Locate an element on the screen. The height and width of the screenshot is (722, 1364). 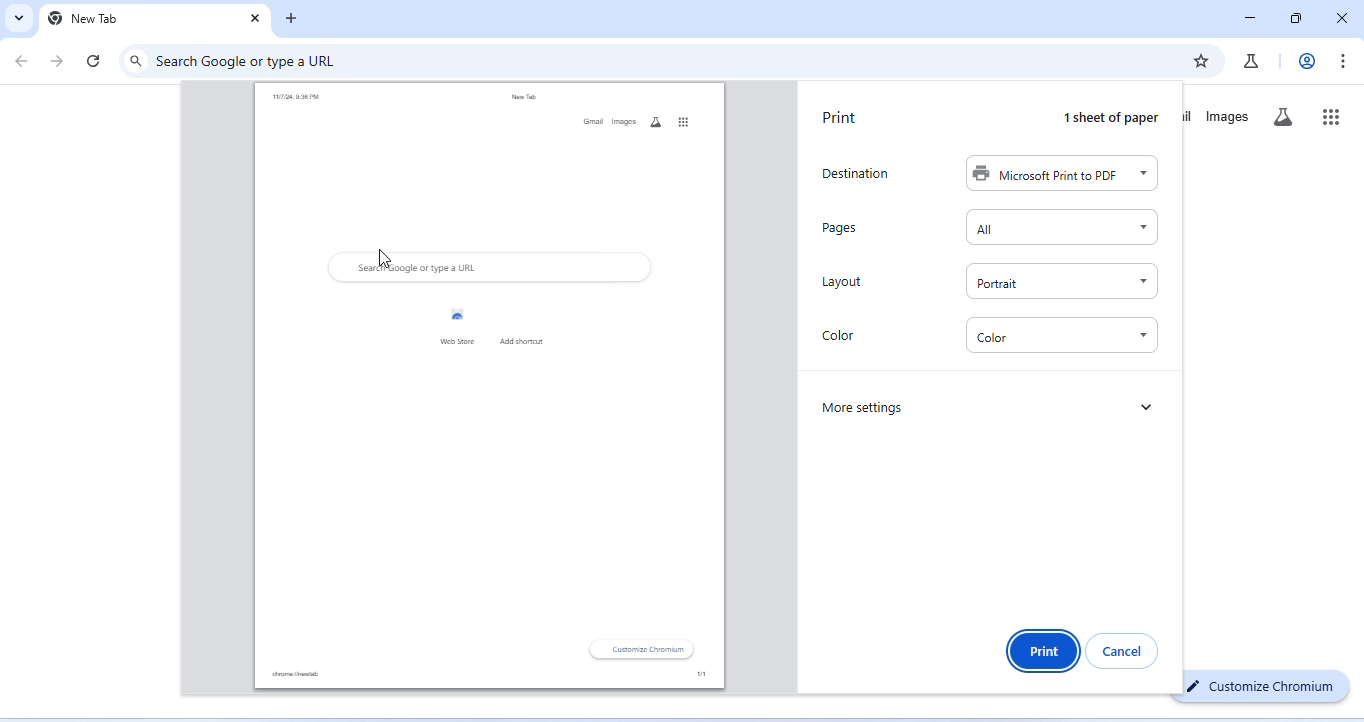
more settings is located at coordinates (865, 407).